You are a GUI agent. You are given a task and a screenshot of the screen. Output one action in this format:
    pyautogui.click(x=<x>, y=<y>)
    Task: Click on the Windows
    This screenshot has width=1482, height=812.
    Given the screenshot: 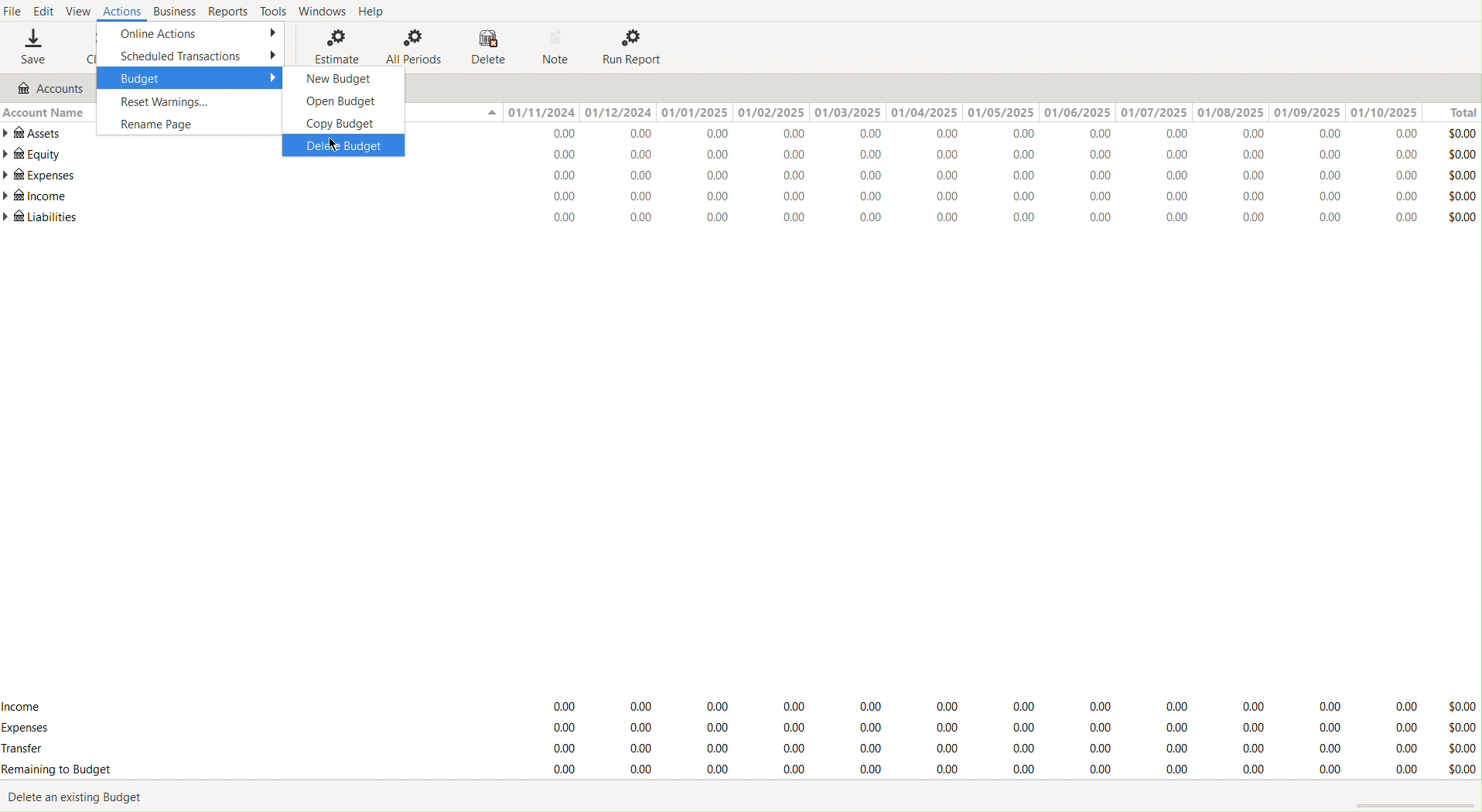 What is the action you would take?
    pyautogui.click(x=323, y=12)
    